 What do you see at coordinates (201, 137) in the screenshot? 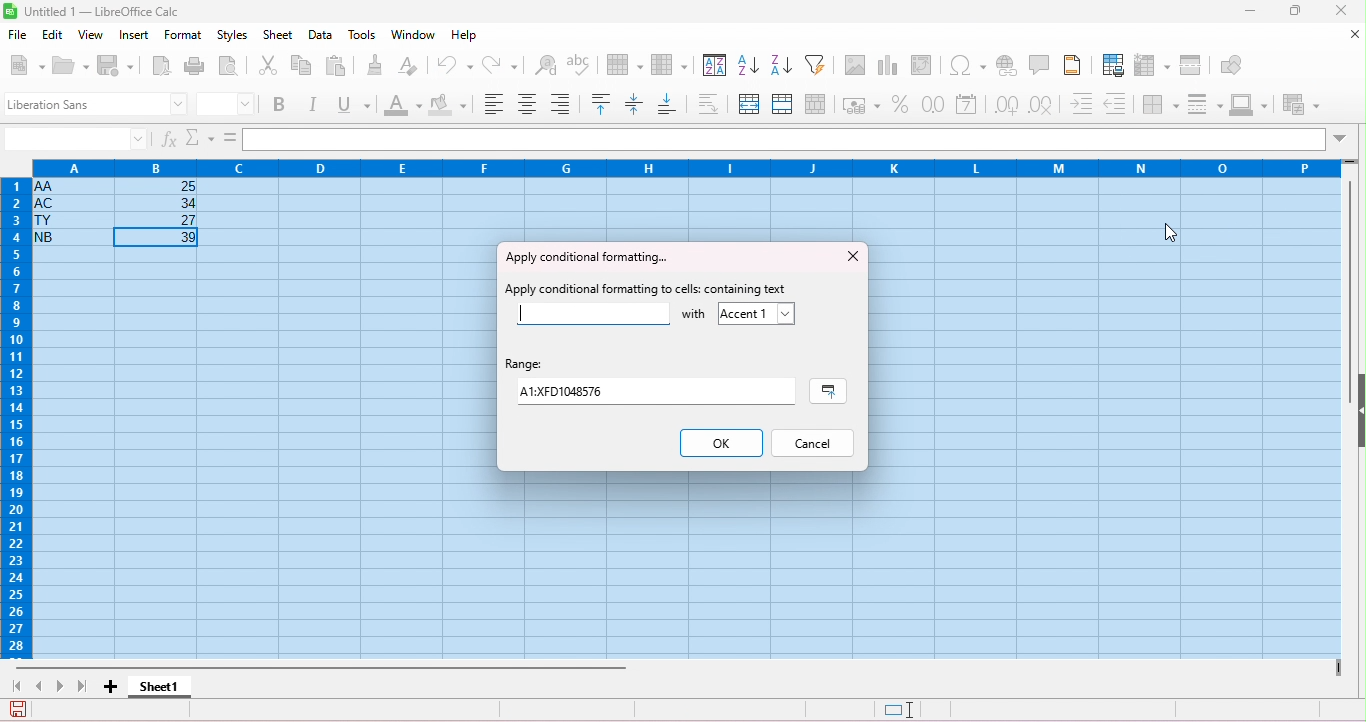
I see `select function` at bounding box center [201, 137].